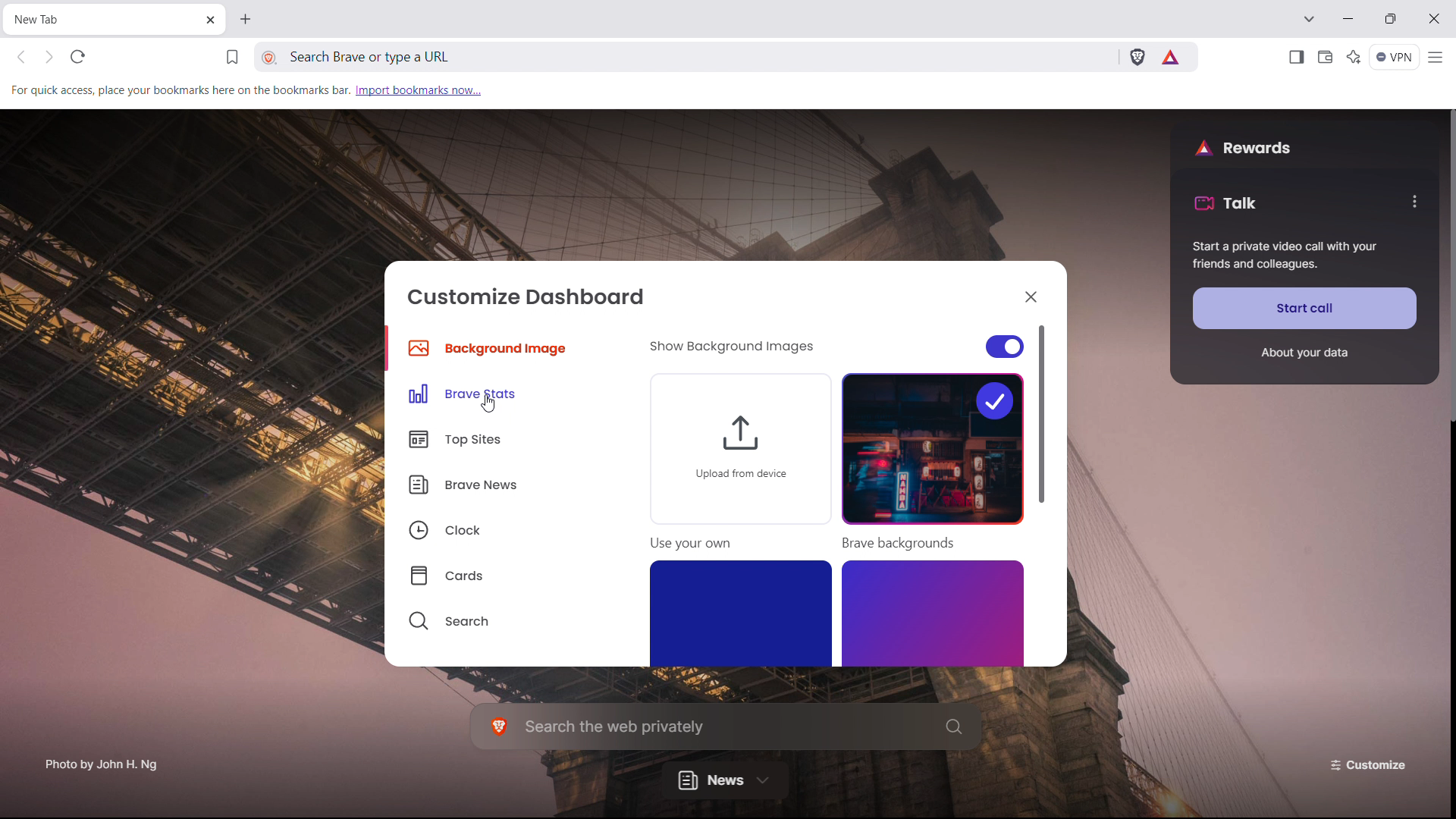  Describe the element at coordinates (488, 403) in the screenshot. I see `cursor` at that location.